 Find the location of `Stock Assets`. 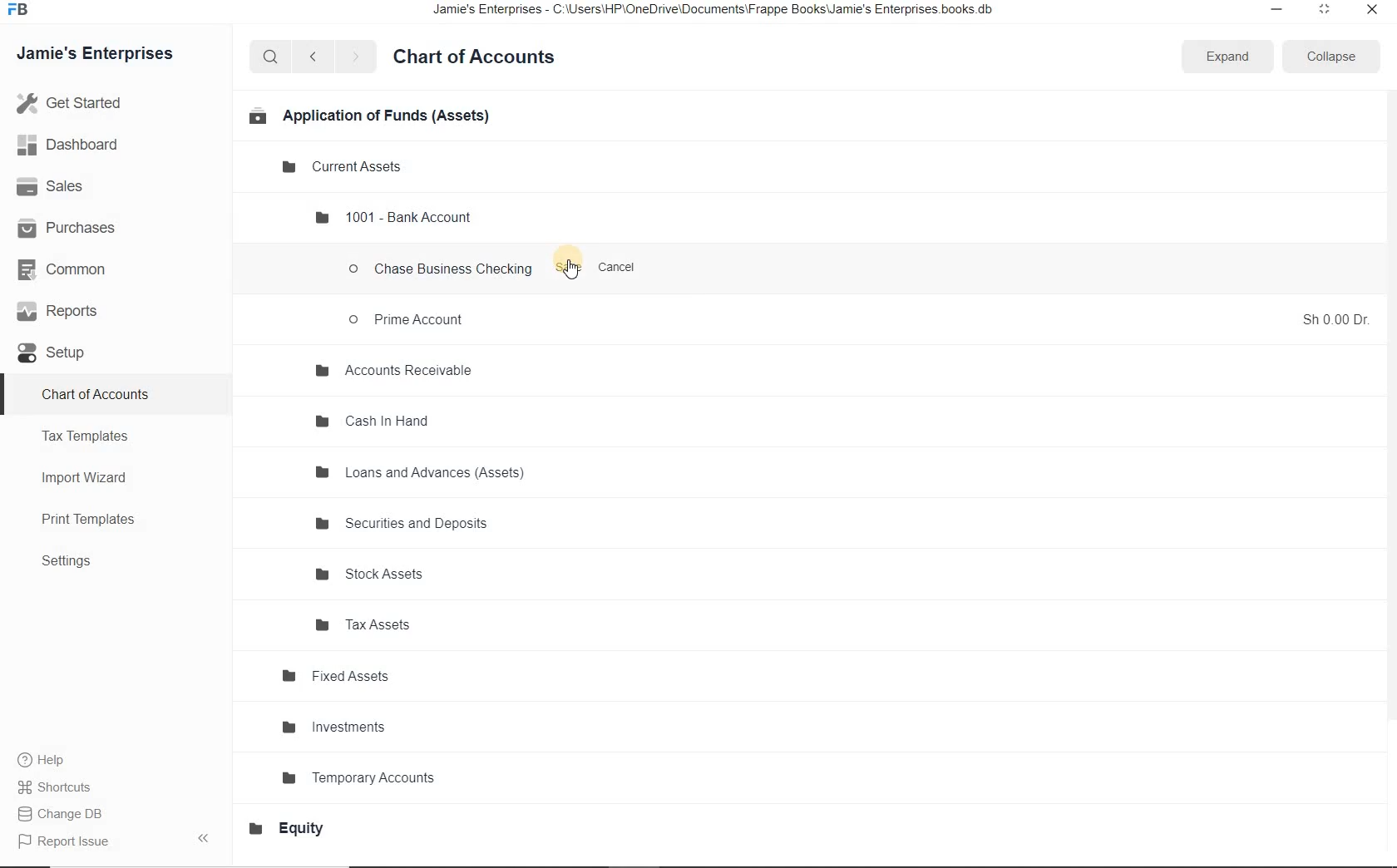

Stock Assets is located at coordinates (375, 575).